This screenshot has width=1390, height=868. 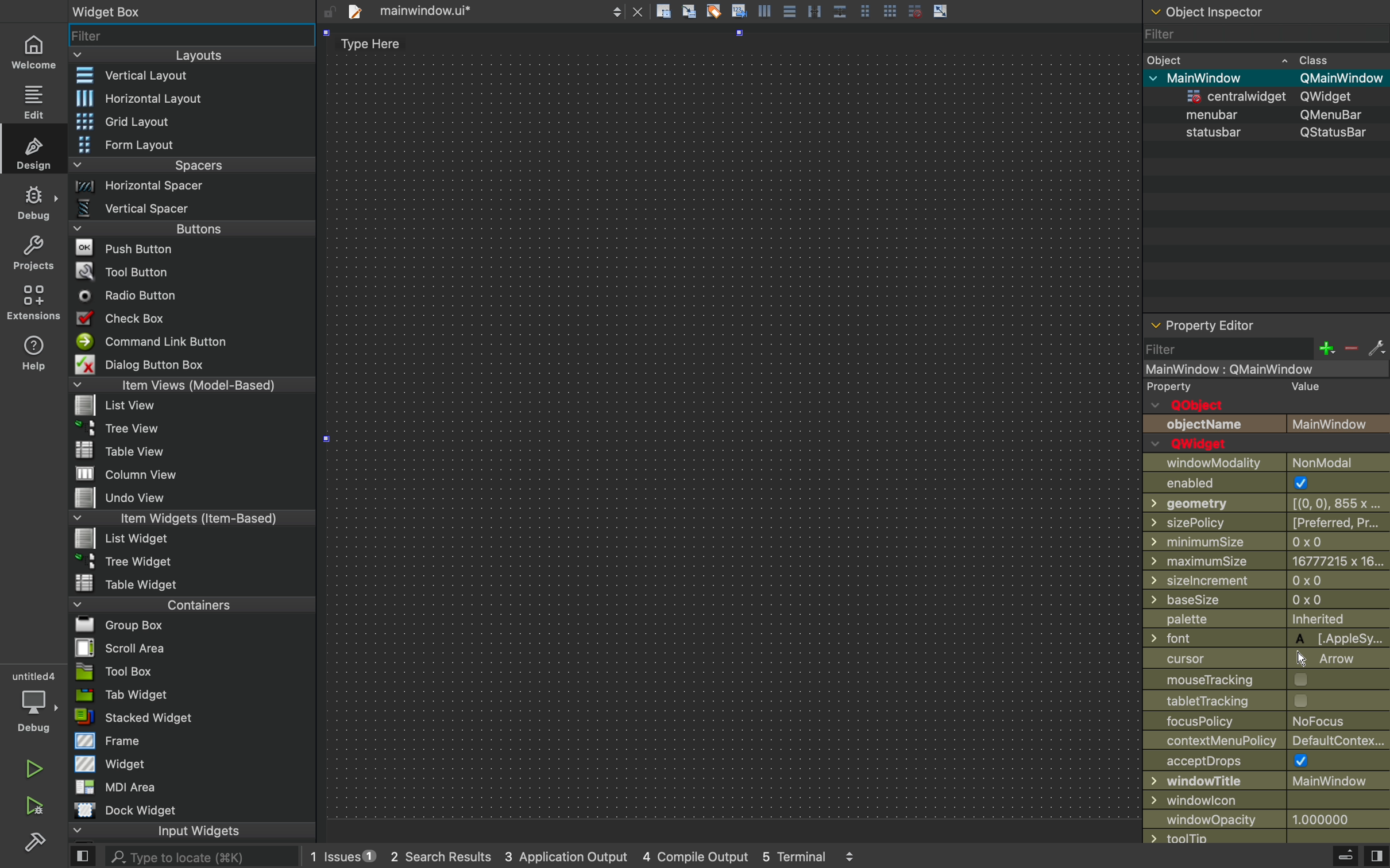 What do you see at coordinates (191, 228) in the screenshot?
I see `buttons` at bounding box center [191, 228].